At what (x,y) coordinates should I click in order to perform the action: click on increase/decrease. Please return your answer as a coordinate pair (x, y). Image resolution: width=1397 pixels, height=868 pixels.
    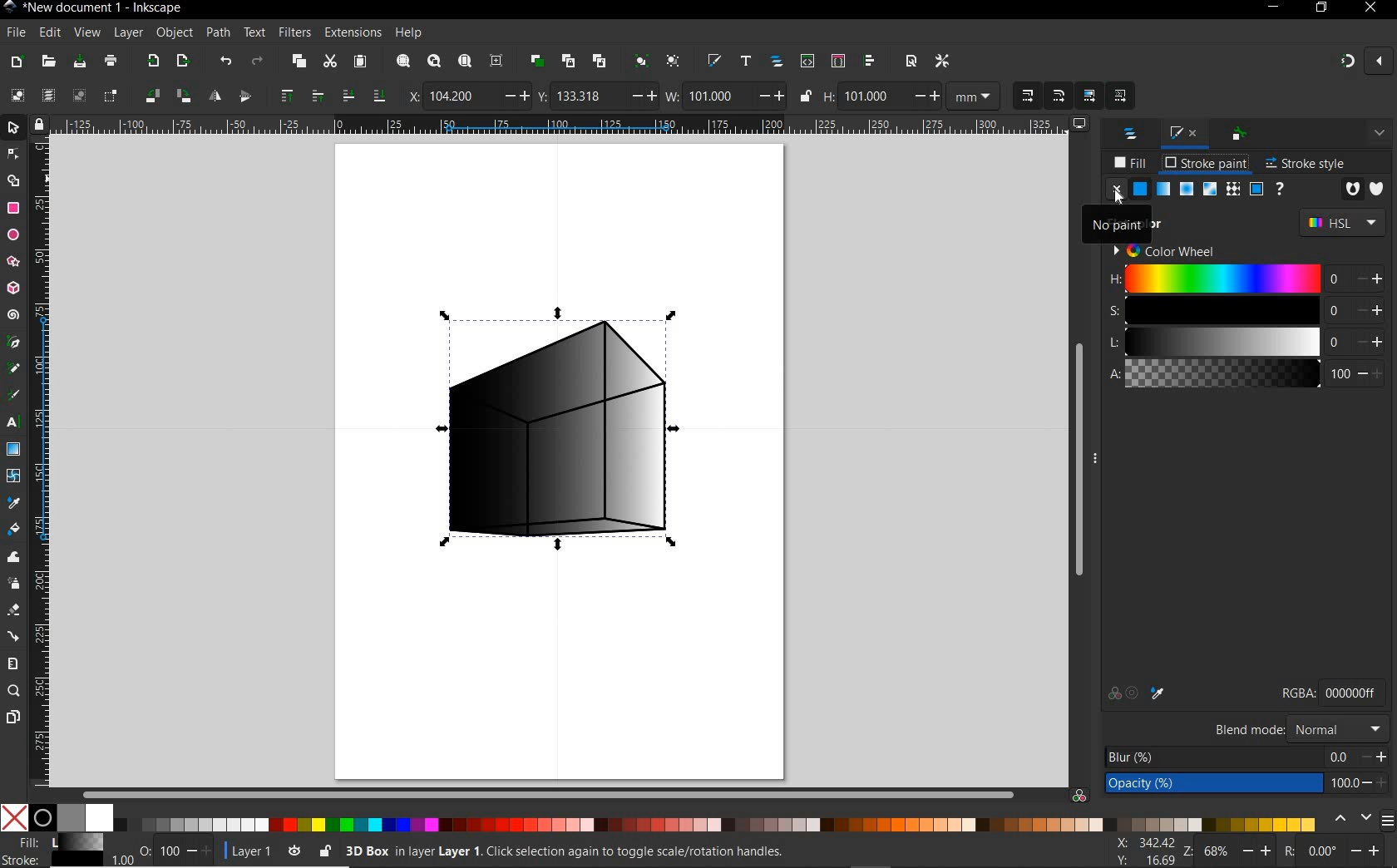
    Looking at the image, I should click on (1375, 757).